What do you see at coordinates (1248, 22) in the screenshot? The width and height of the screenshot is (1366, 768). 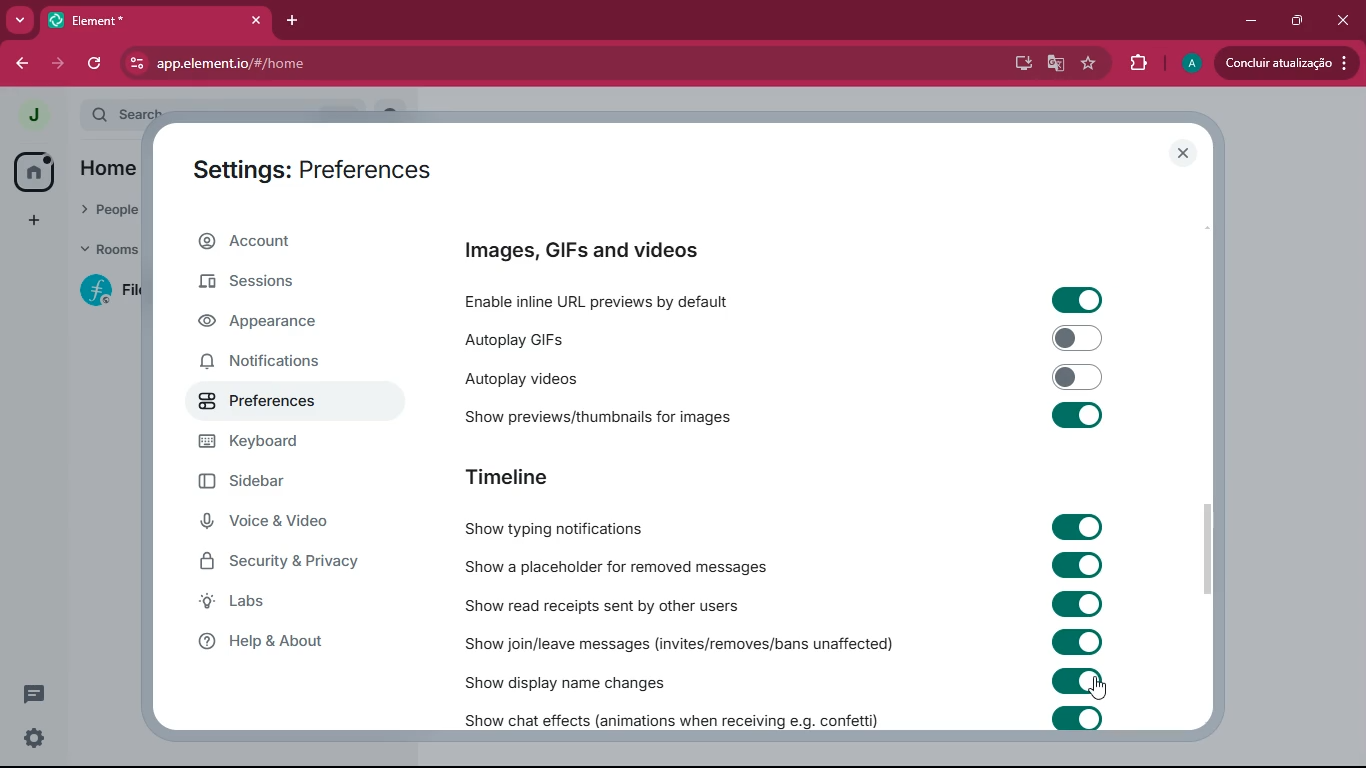 I see `minimize` at bounding box center [1248, 22].